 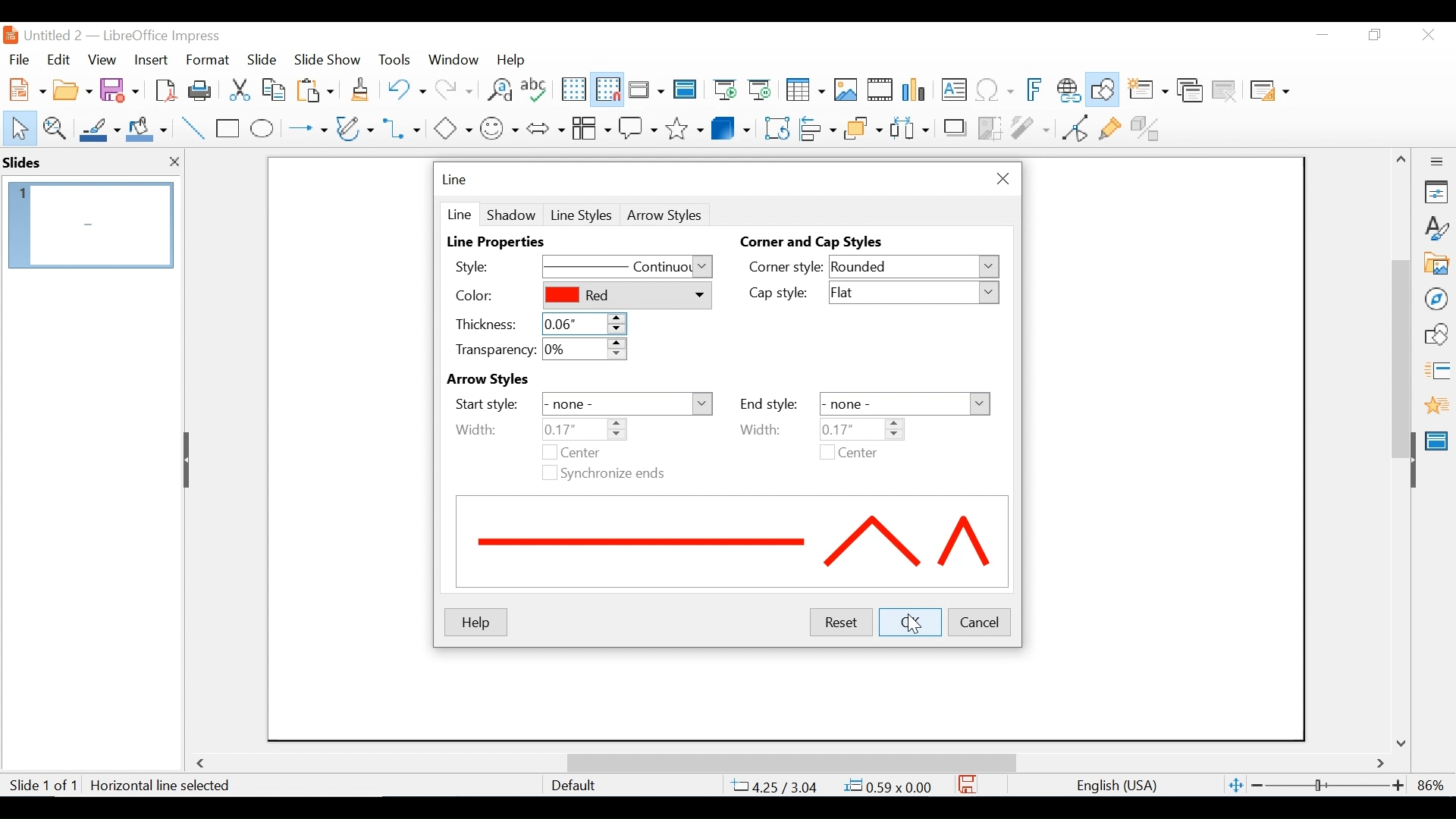 What do you see at coordinates (1436, 265) in the screenshot?
I see `Galler` at bounding box center [1436, 265].